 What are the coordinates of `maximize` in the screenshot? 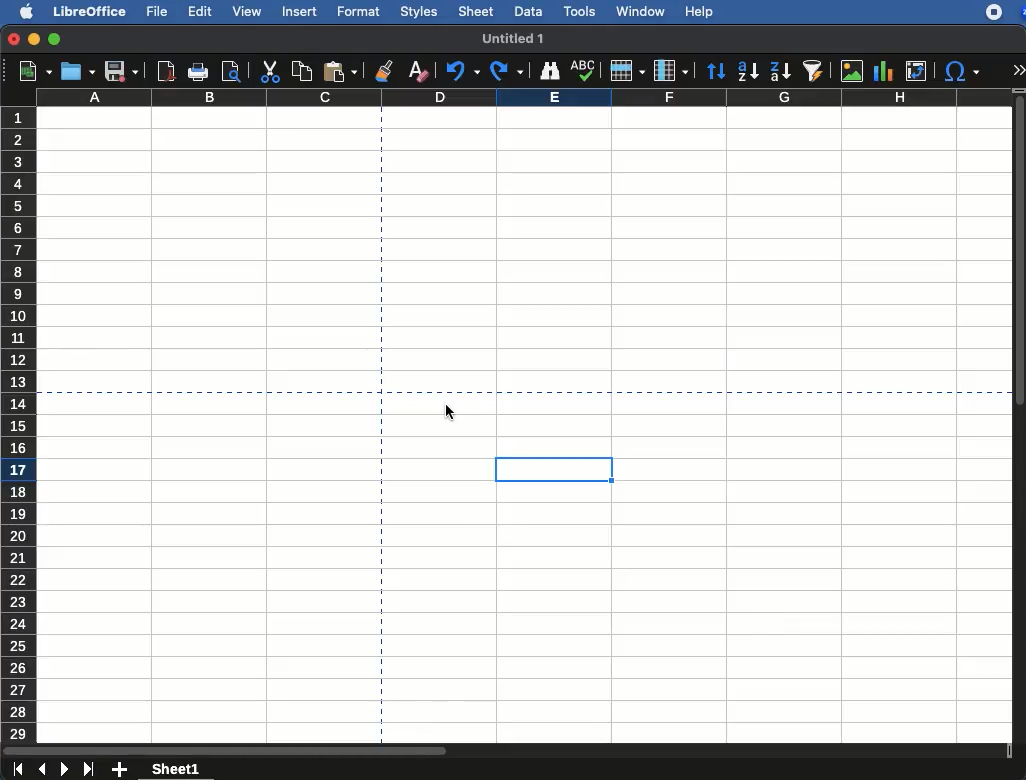 It's located at (54, 39).